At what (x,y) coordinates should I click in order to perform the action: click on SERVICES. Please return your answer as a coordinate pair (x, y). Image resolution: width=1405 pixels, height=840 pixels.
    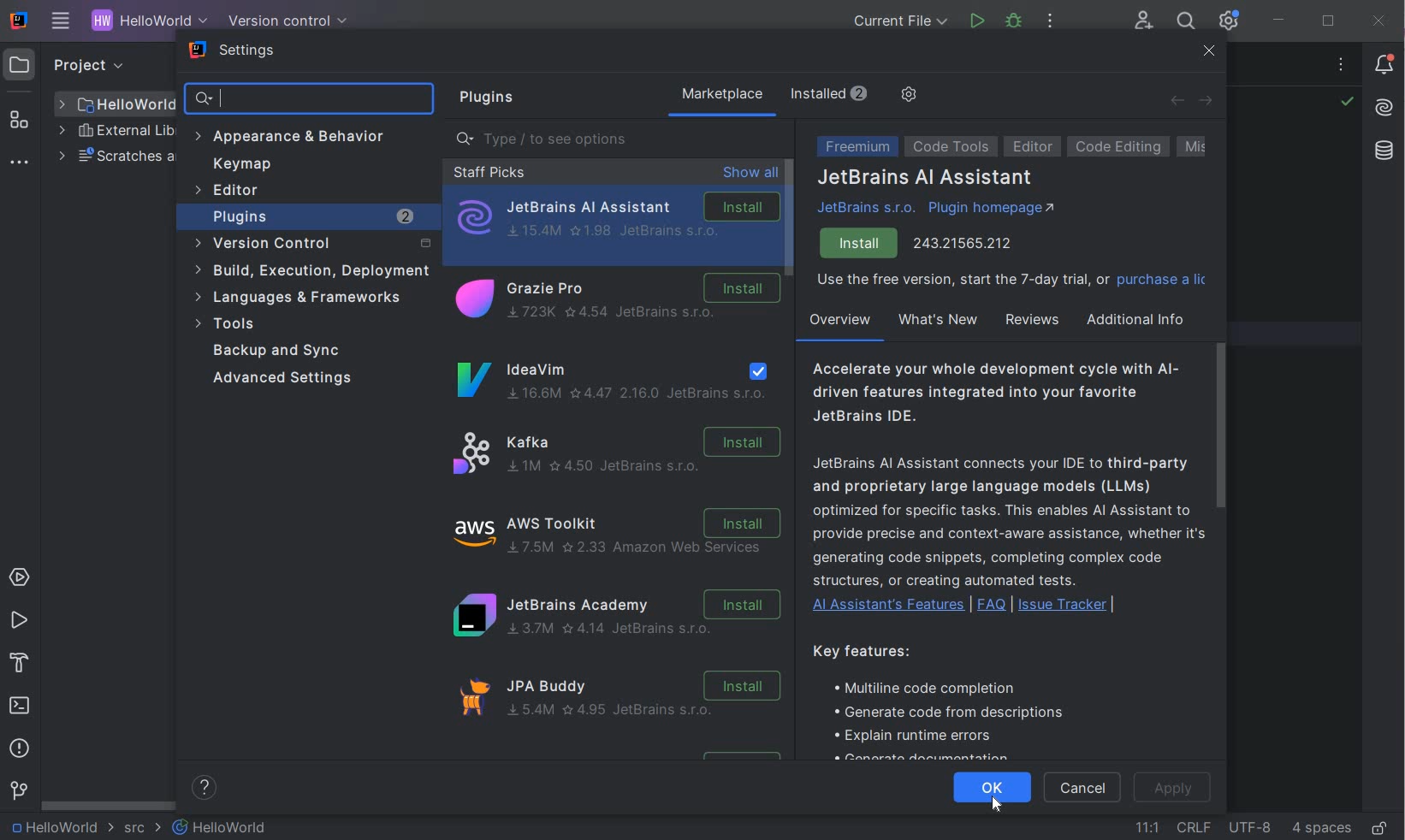
    Looking at the image, I should click on (20, 578).